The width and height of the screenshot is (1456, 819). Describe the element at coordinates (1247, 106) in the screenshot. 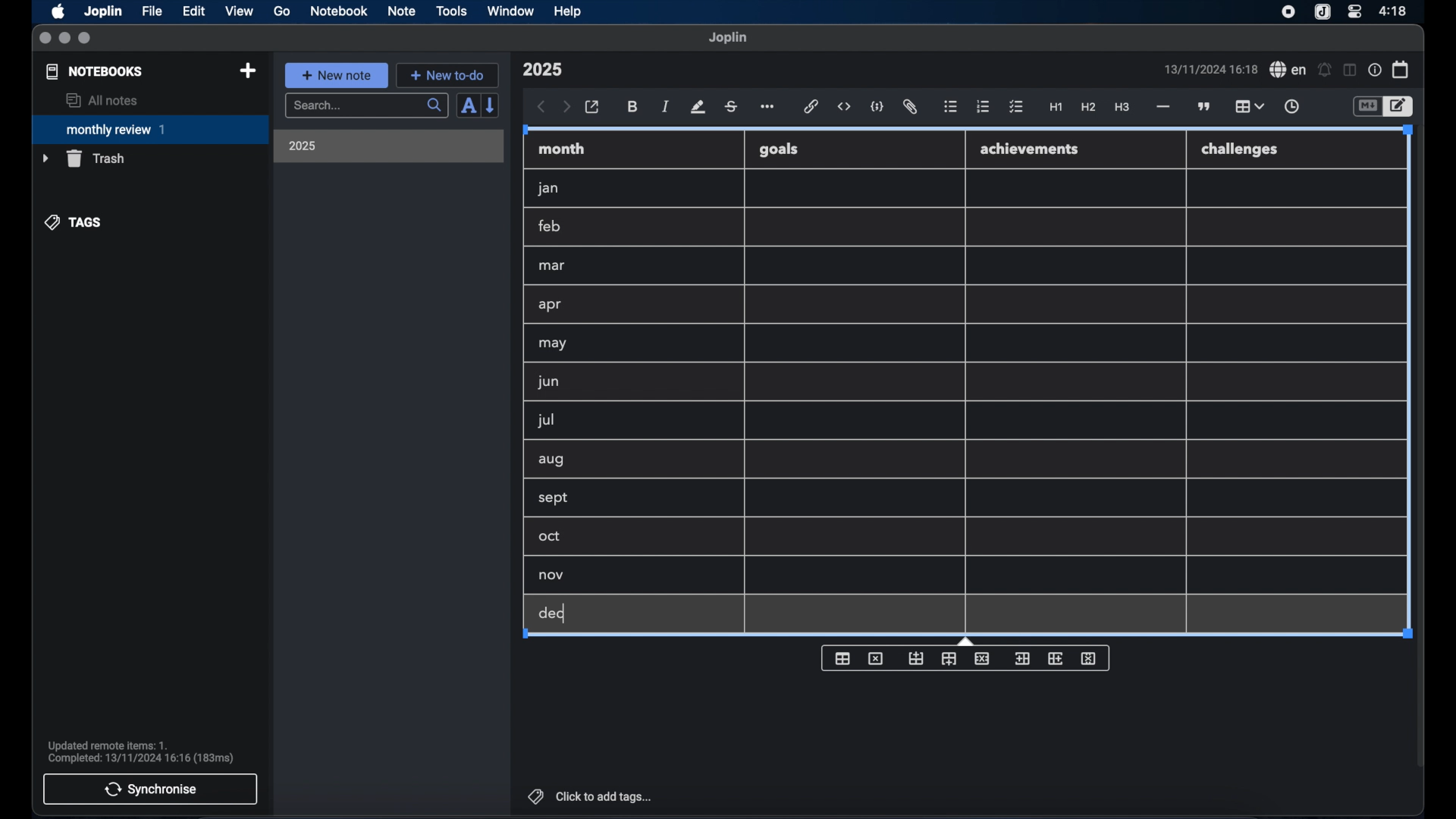

I see `table highlighted` at that location.